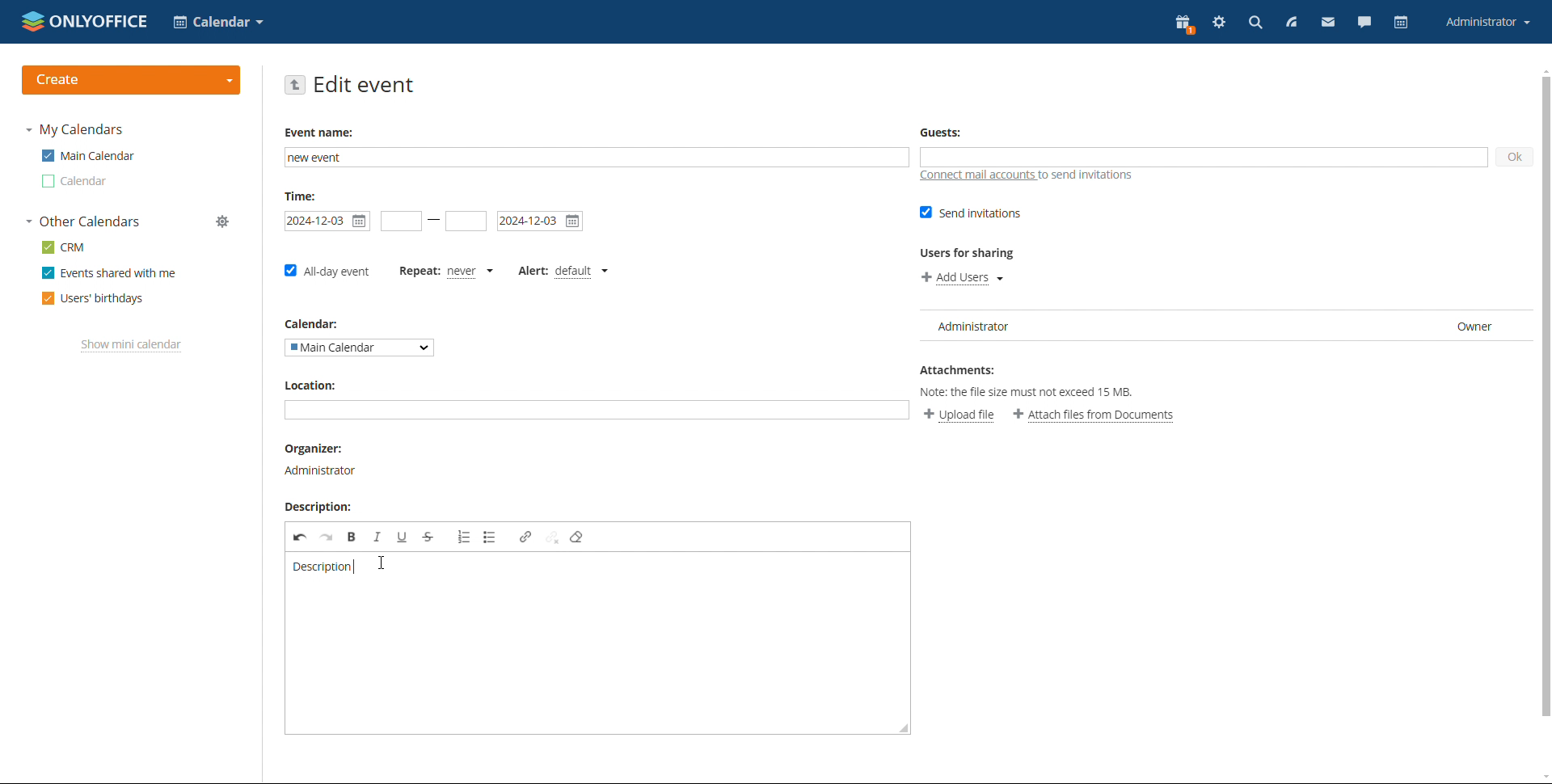  I want to click on end time, so click(466, 221).